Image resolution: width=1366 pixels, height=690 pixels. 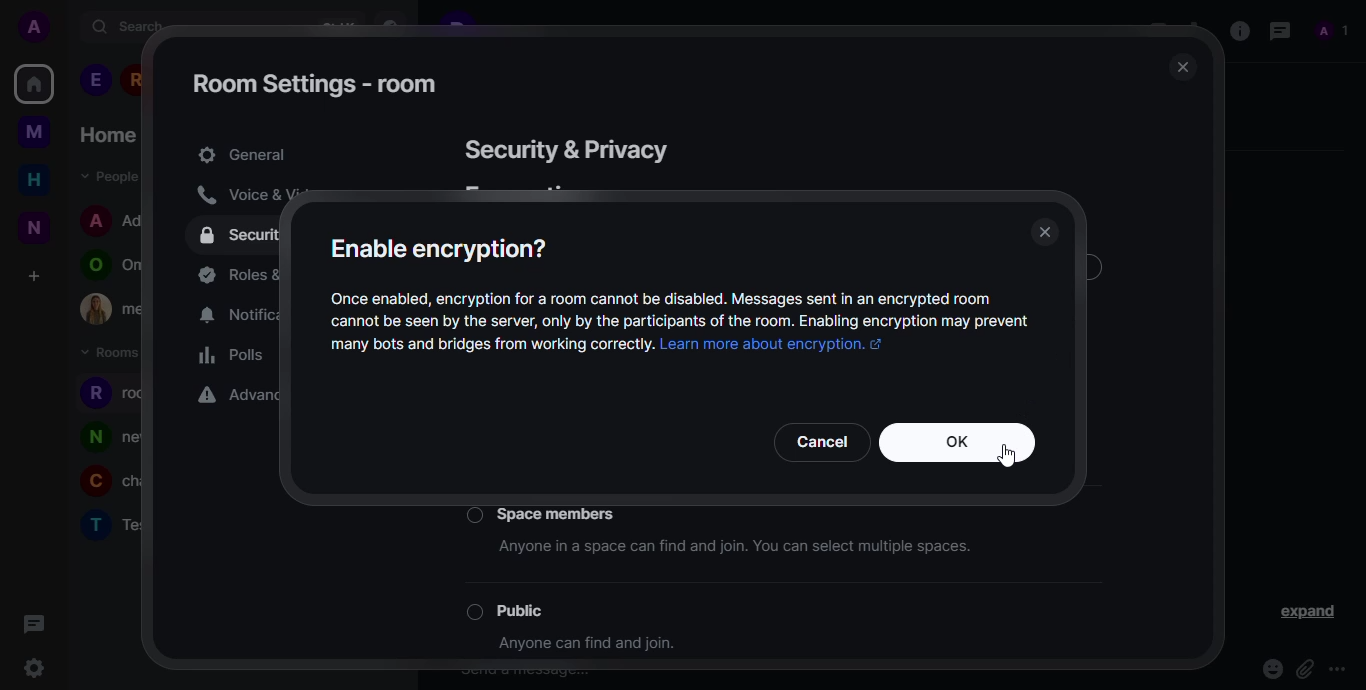 What do you see at coordinates (1278, 30) in the screenshot?
I see `threads` at bounding box center [1278, 30].